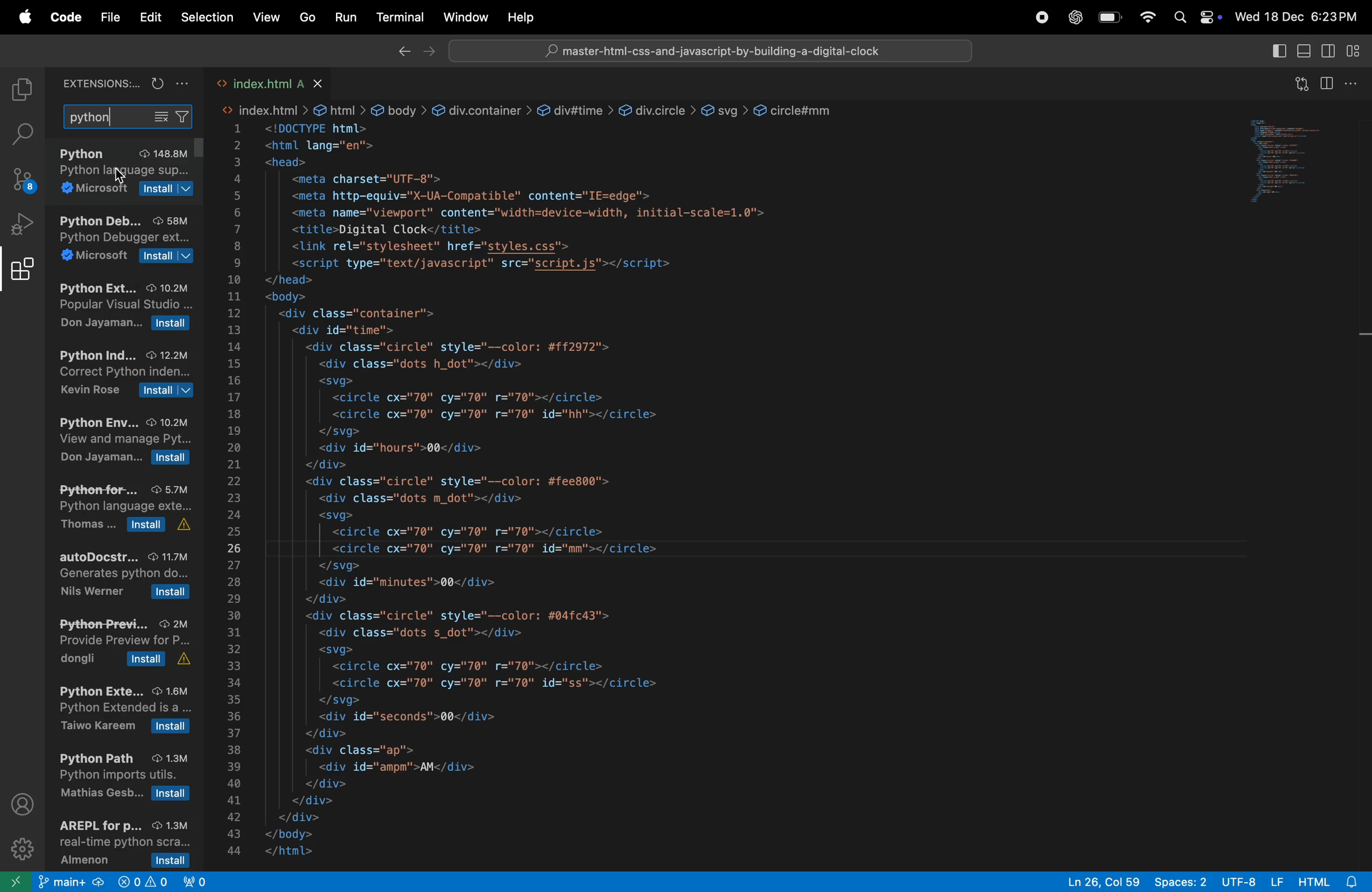 The height and width of the screenshot is (892, 1372). What do you see at coordinates (123, 173) in the screenshot?
I see `cursor` at bounding box center [123, 173].